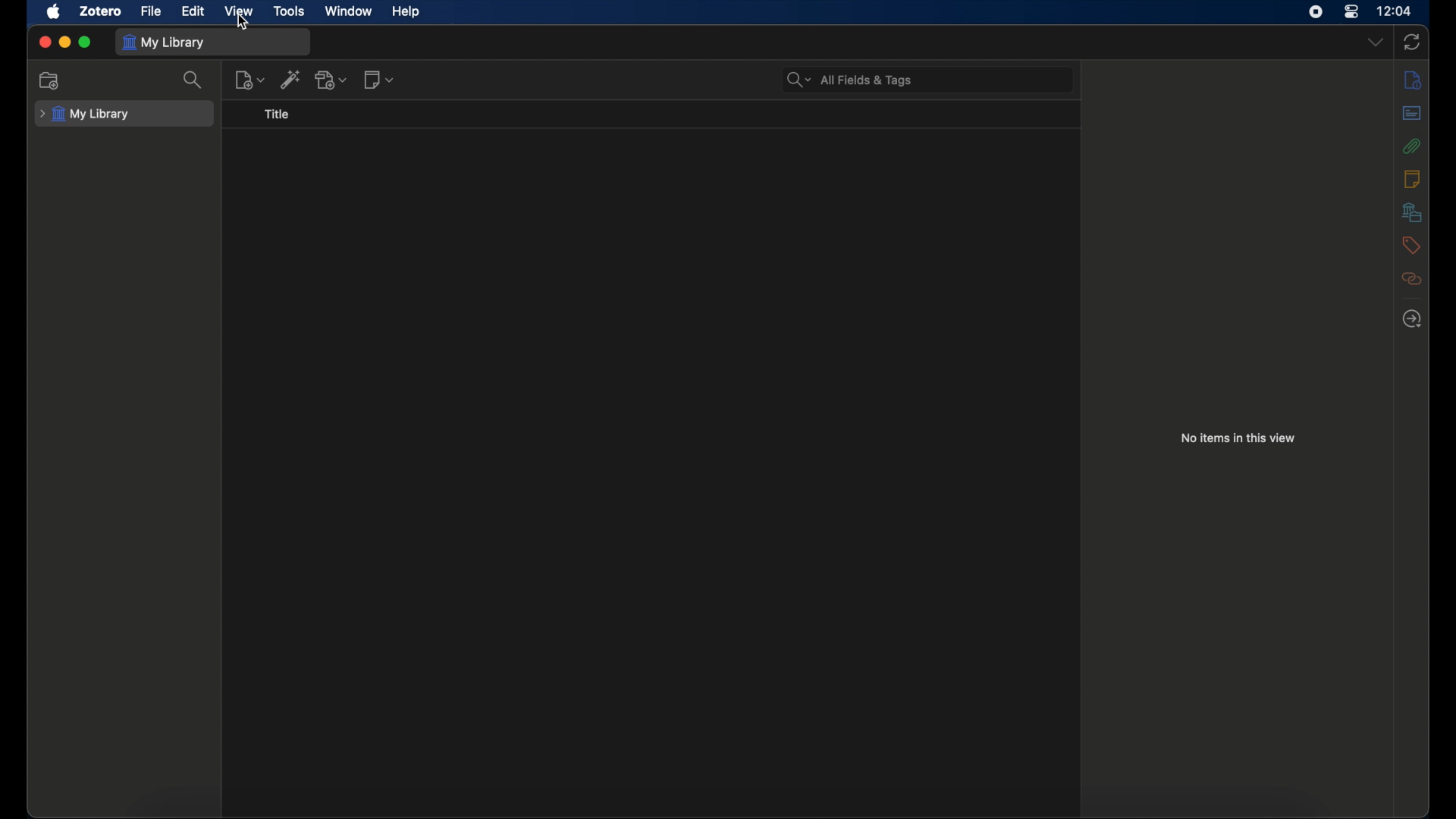 The width and height of the screenshot is (1456, 819). What do you see at coordinates (1411, 146) in the screenshot?
I see `attachments` at bounding box center [1411, 146].